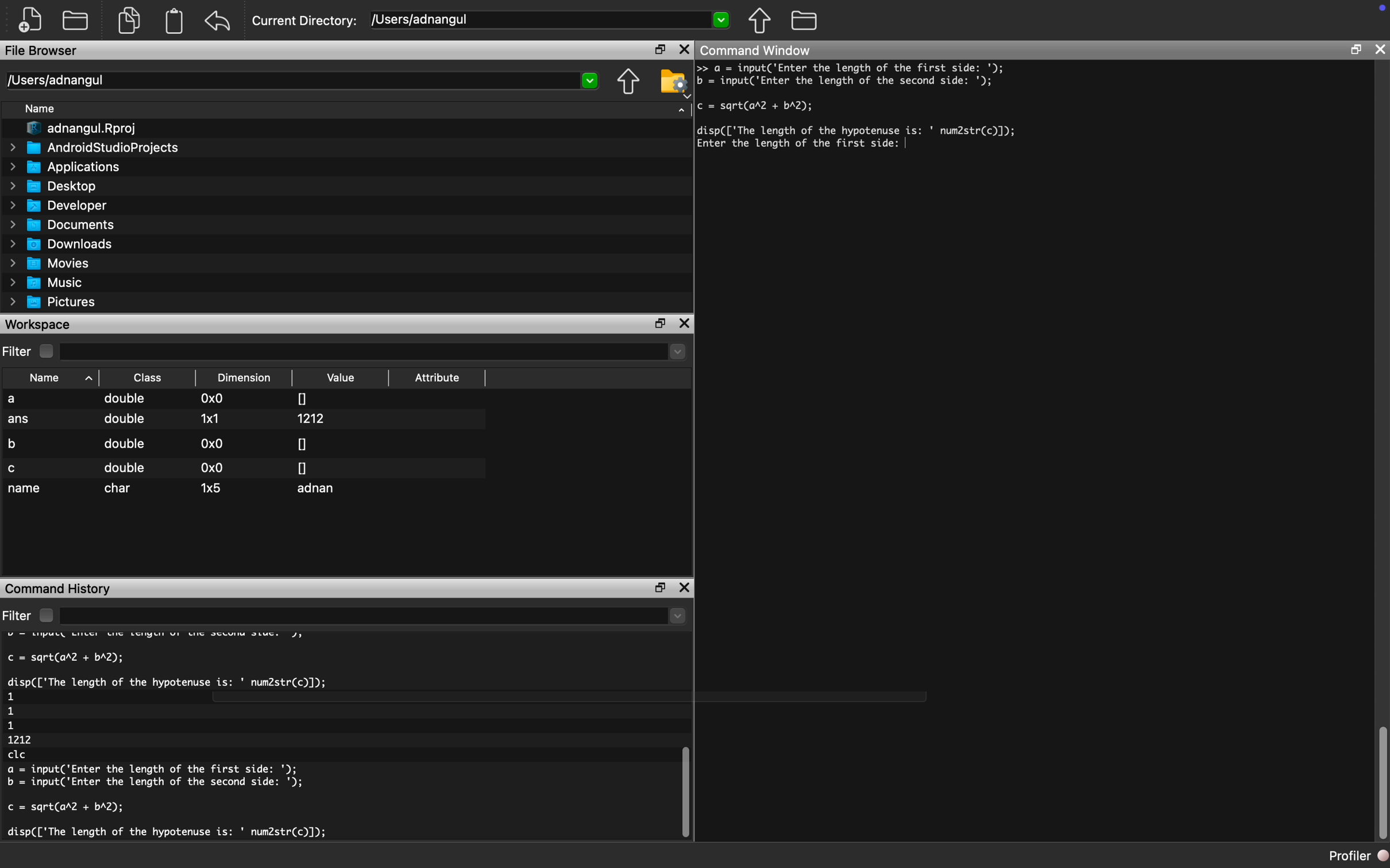 Image resolution: width=1390 pixels, height=868 pixels. I want to click on profiler, so click(1346, 855).